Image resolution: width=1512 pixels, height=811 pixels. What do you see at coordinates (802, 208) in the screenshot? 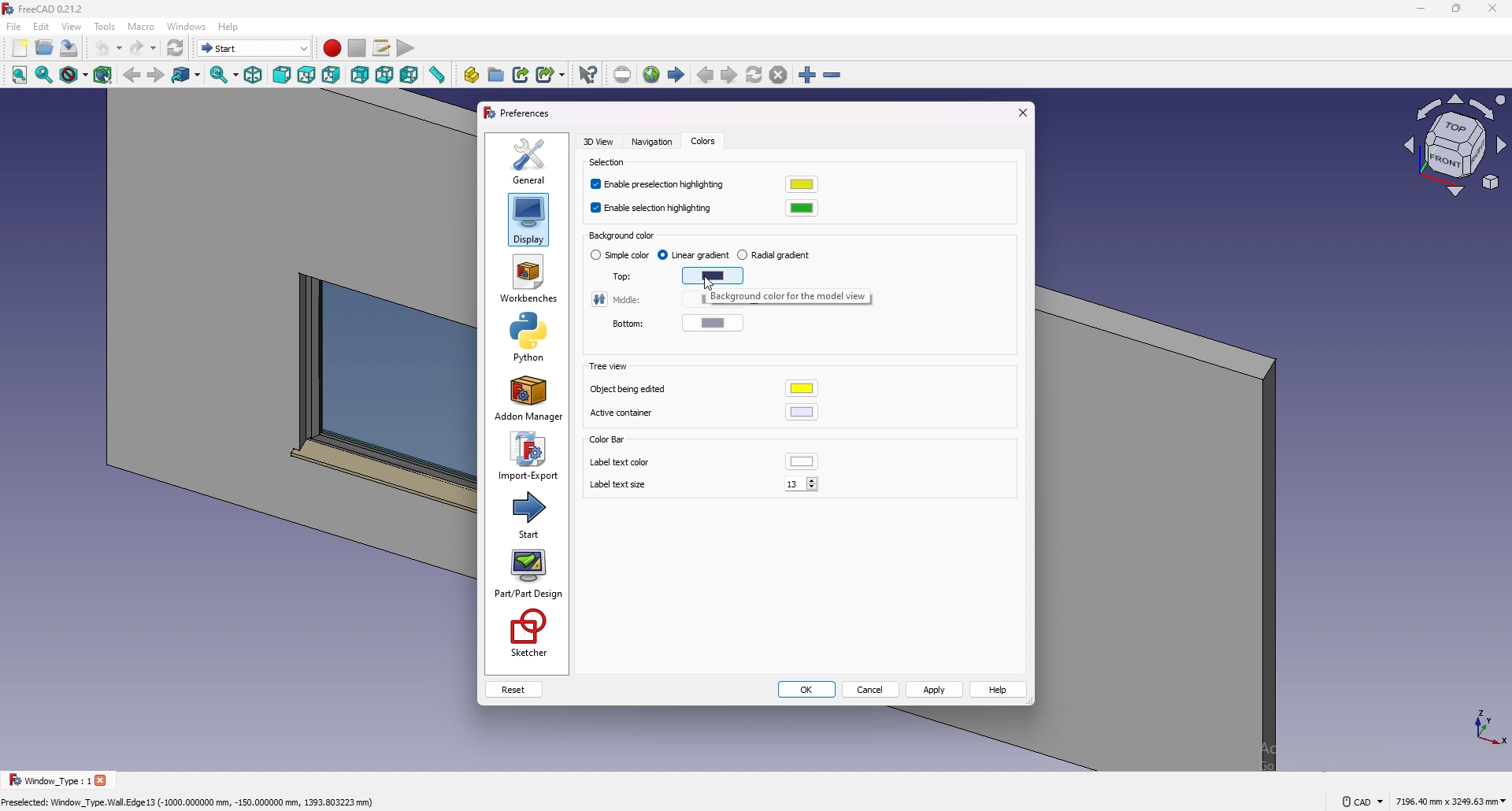
I see `selection highlighting color` at bounding box center [802, 208].